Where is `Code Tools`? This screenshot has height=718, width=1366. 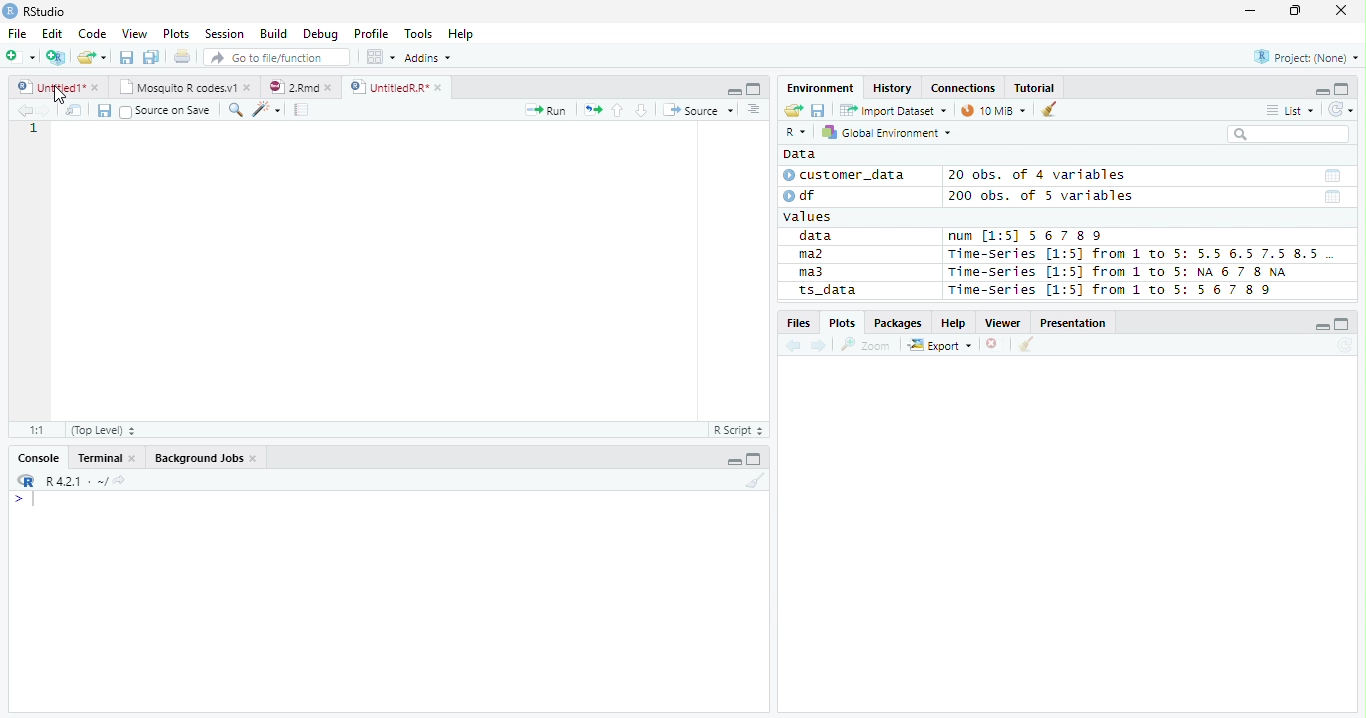 Code Tools is located at coordinates (266, 110).